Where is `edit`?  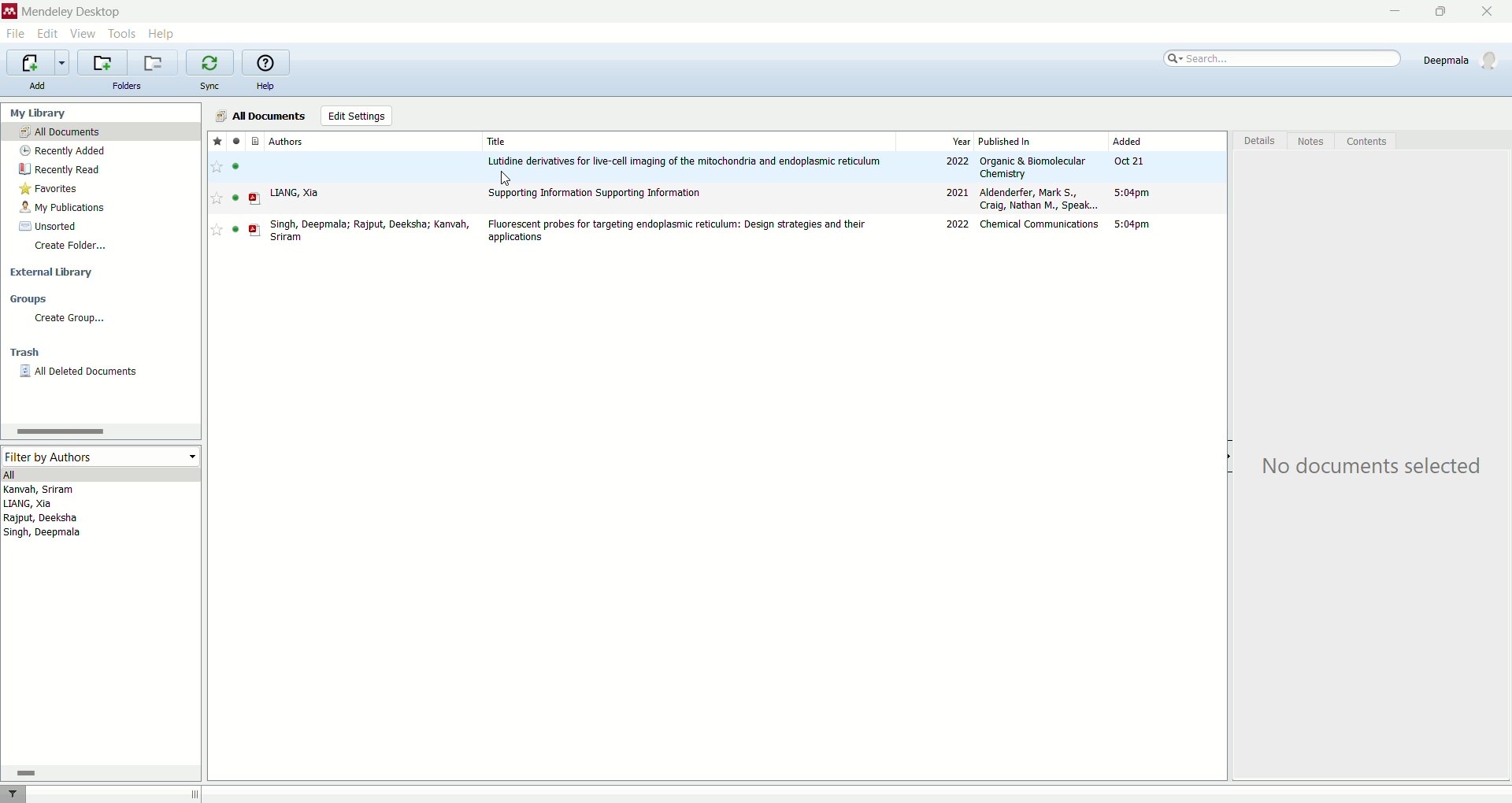 edit is located at coordinates (47, 35).